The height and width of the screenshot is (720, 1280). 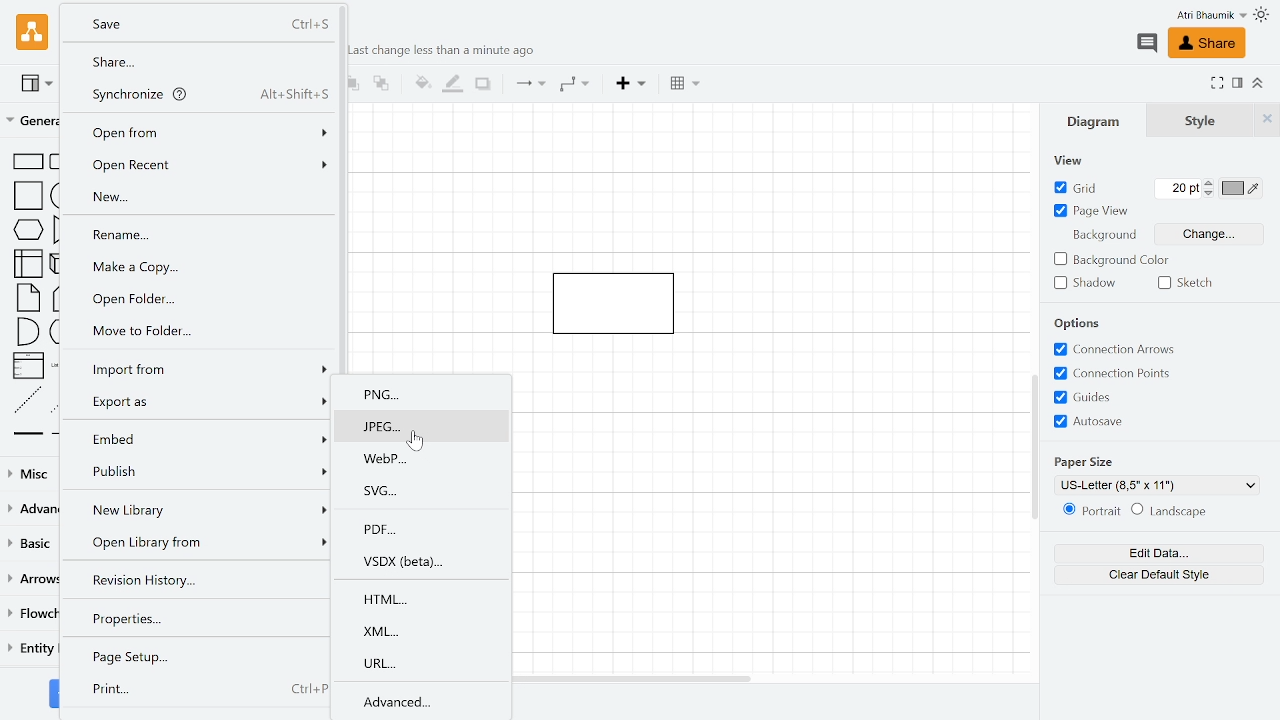 What do you see at coordinates (427, 661) in the screenshot?
I see `URL` at bounding box center [427, 661].